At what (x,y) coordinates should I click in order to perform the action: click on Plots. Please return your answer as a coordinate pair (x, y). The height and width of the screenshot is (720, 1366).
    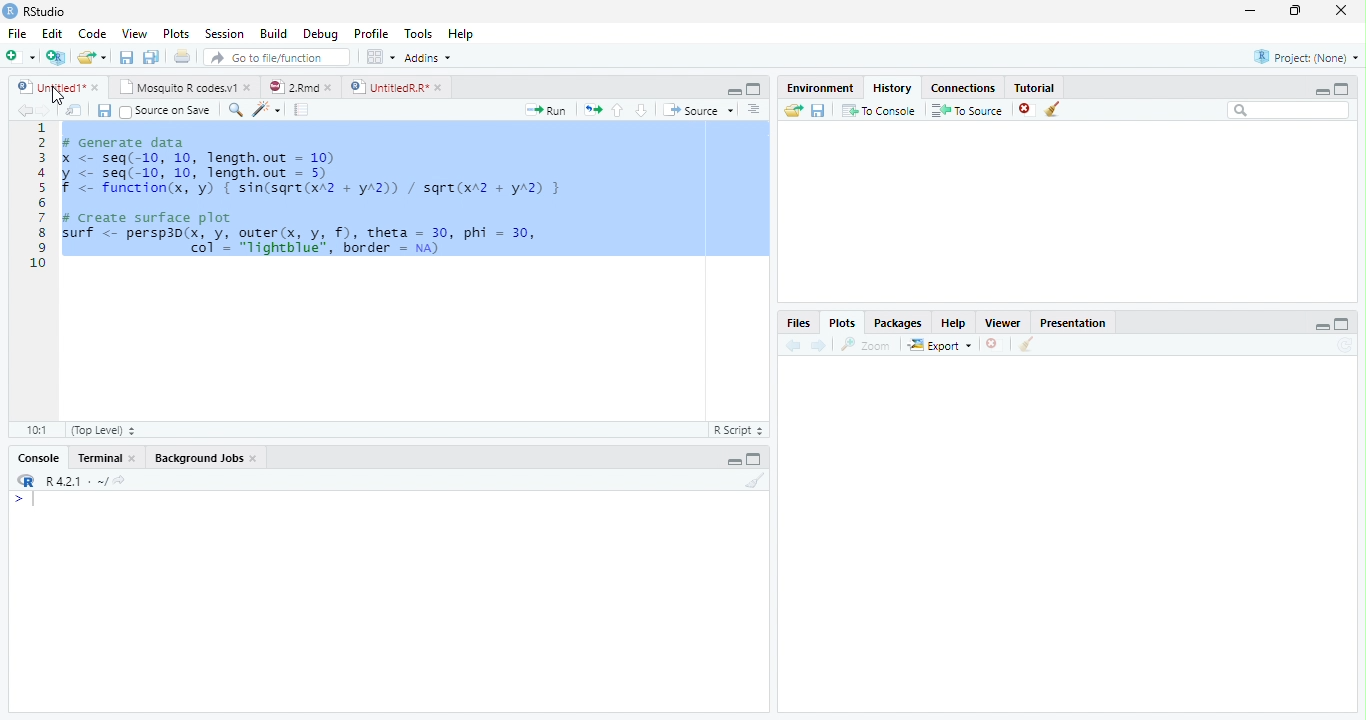
    Looking at the image, I should click on (175, 33).